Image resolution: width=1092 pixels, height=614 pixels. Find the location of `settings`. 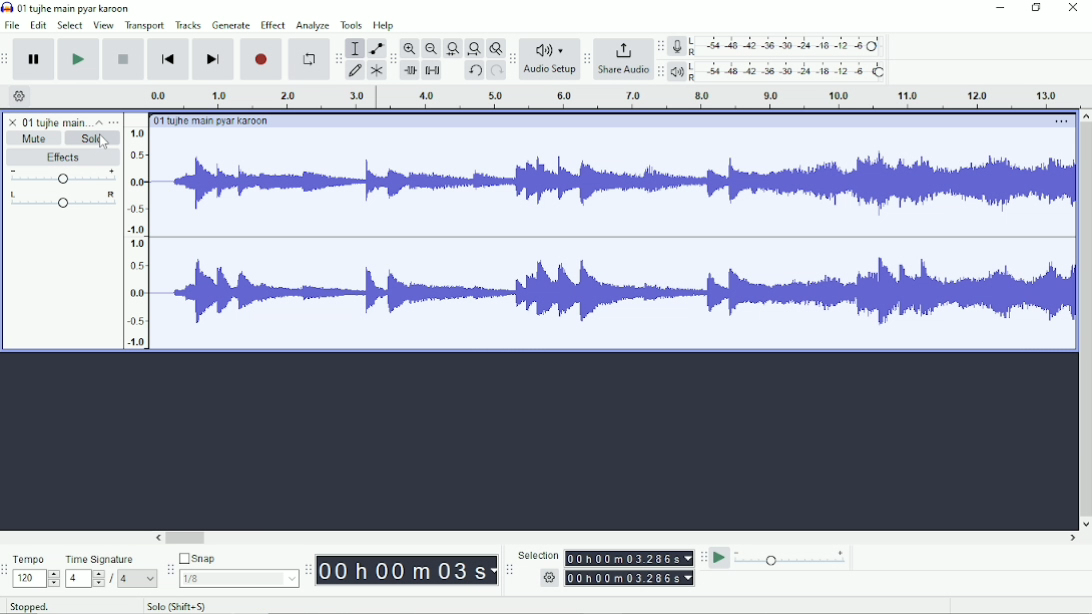

settings is located at coordinates (630, 578).